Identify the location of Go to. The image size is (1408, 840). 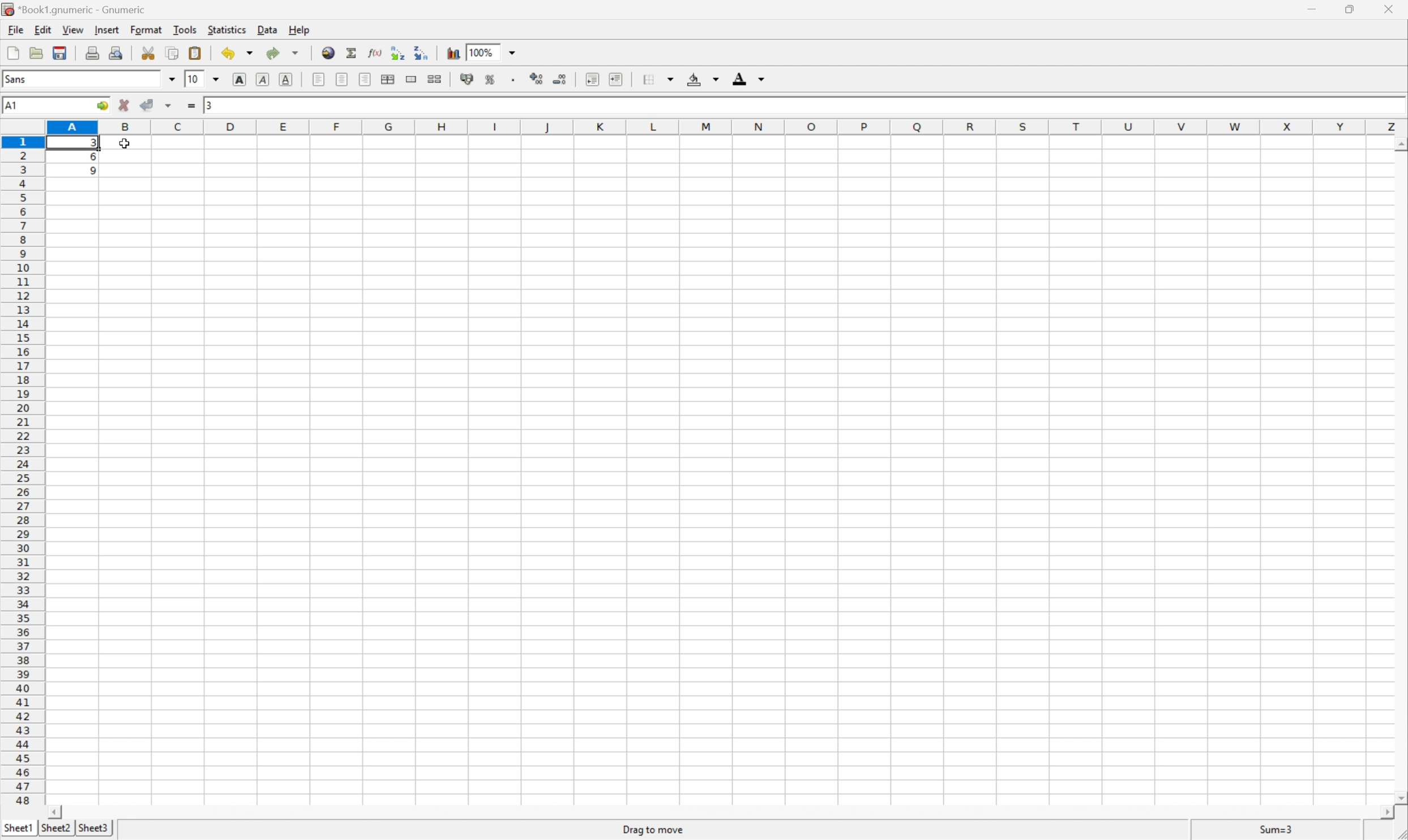
(102, 106).